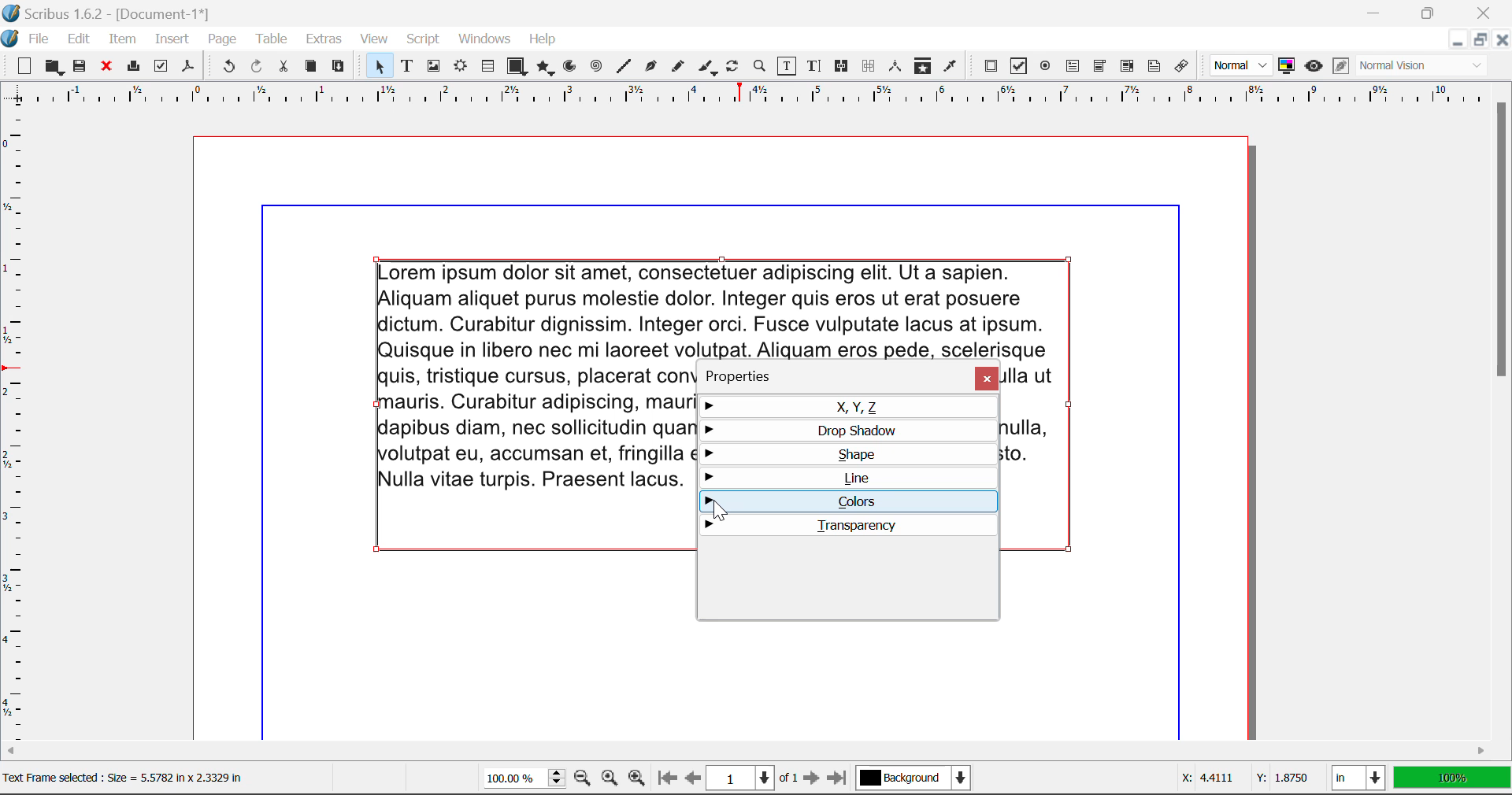 The height and width of the screenshot is (795, 1512). What do you see at coordinates (747, 376) in the screenshot?
I see `Properties` at bounding box center [747, 376].